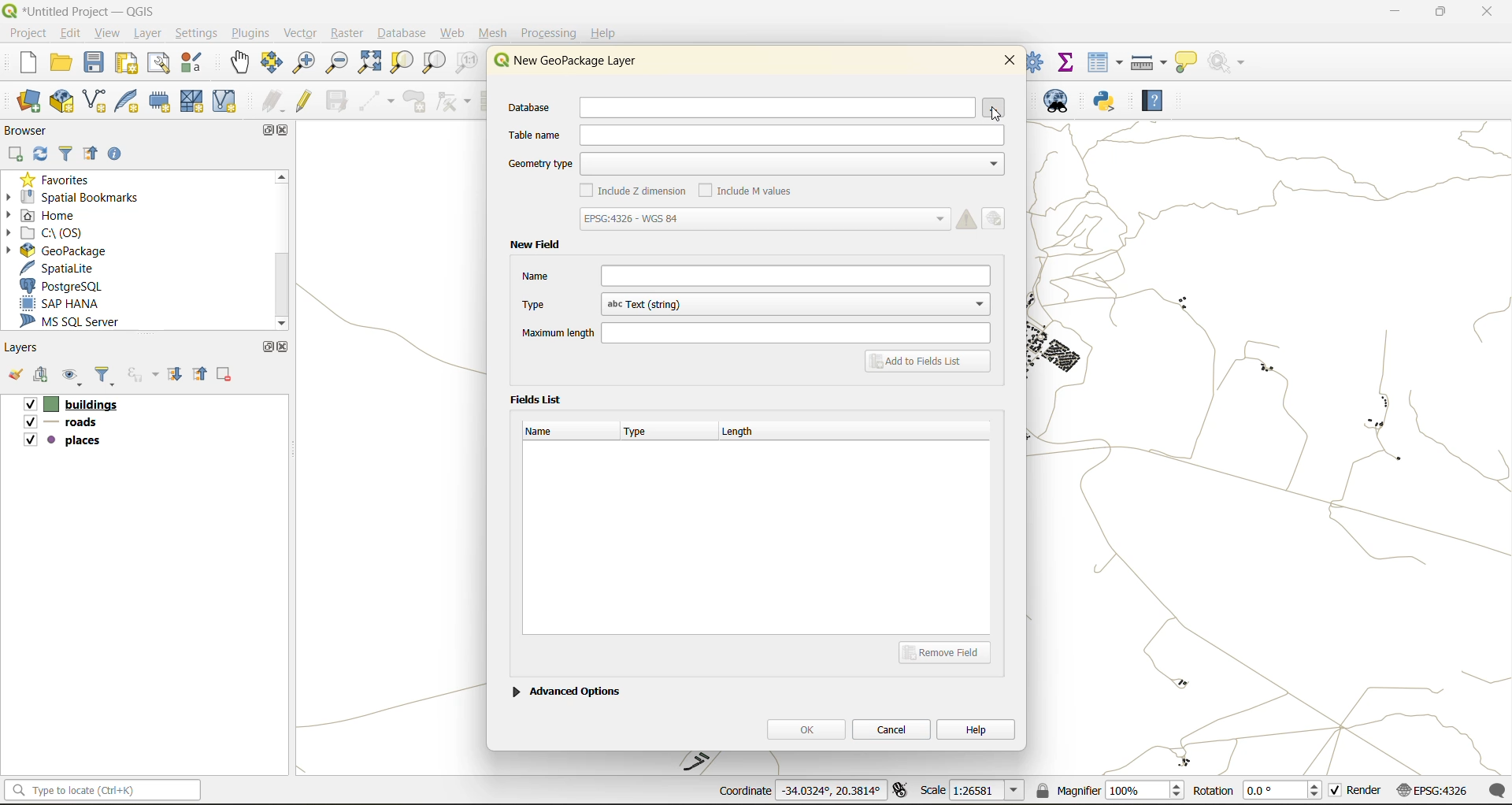 The width and height of the screenshot is (1512, 805). What do you see at coordinates (335, 65) in the screenshot?
I see `zoom out` at bounding box center [335, 65].